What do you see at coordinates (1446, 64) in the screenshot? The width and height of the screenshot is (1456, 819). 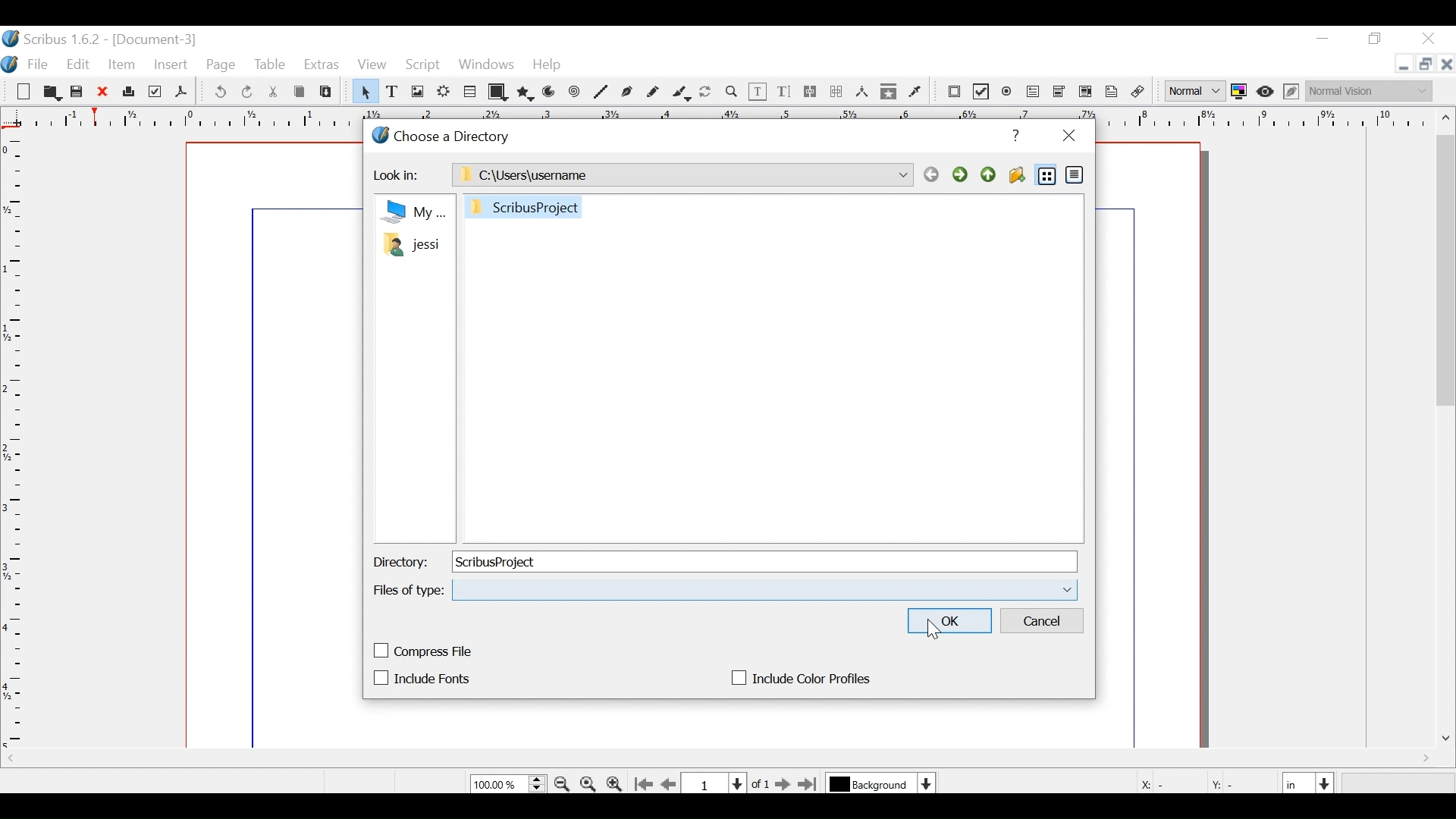 I see `Close` at bounding box center [1446, 64].